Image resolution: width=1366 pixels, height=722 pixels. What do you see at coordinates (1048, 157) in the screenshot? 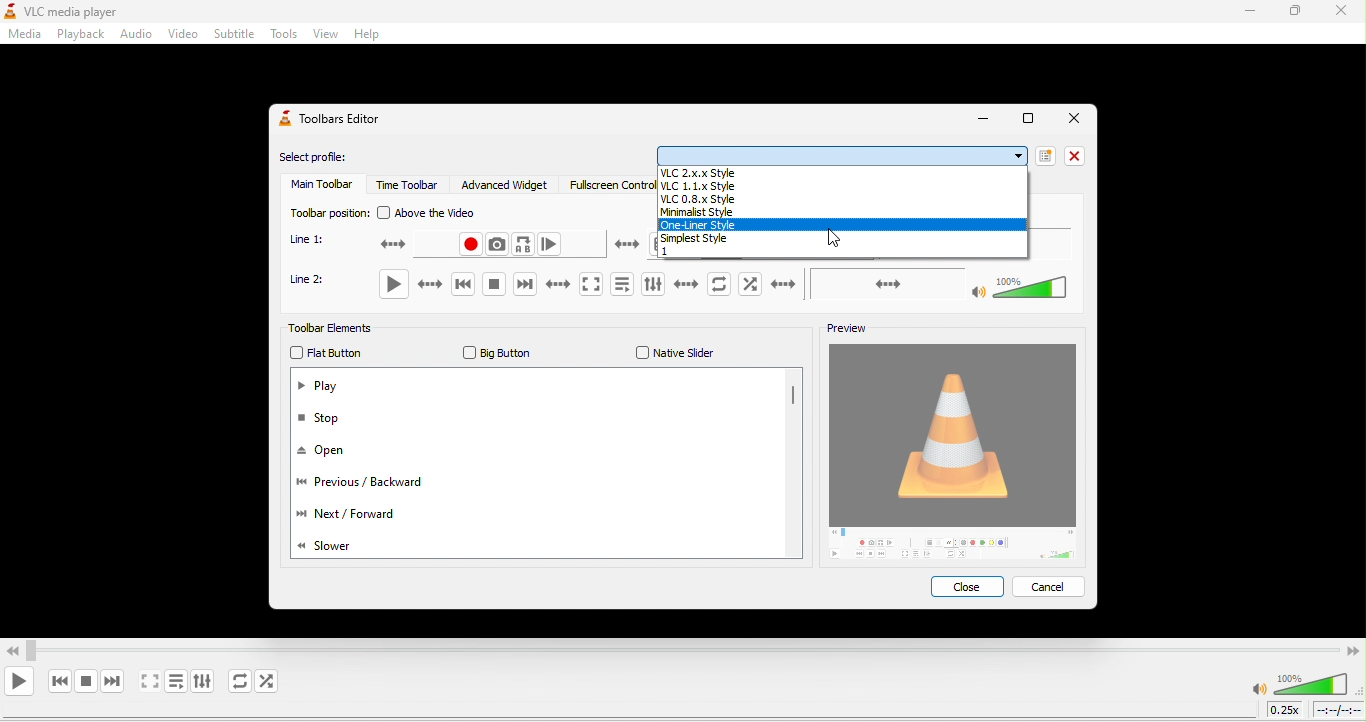
I see `new profile` at bounding box center [1048, 157].